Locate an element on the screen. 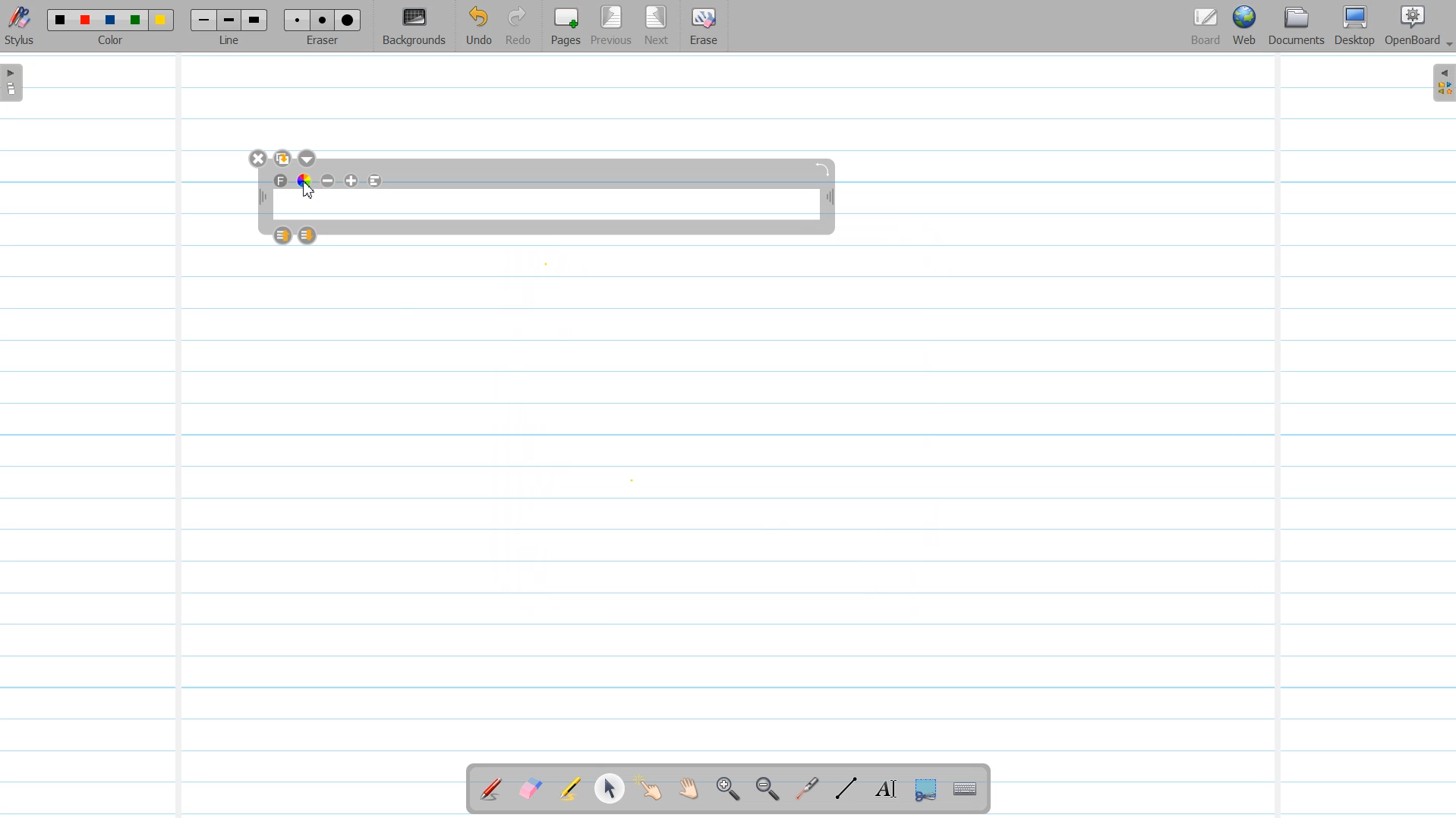 This screenshot has width=1456, height=818. Rotate Text window is located at coordinates (824, 168).